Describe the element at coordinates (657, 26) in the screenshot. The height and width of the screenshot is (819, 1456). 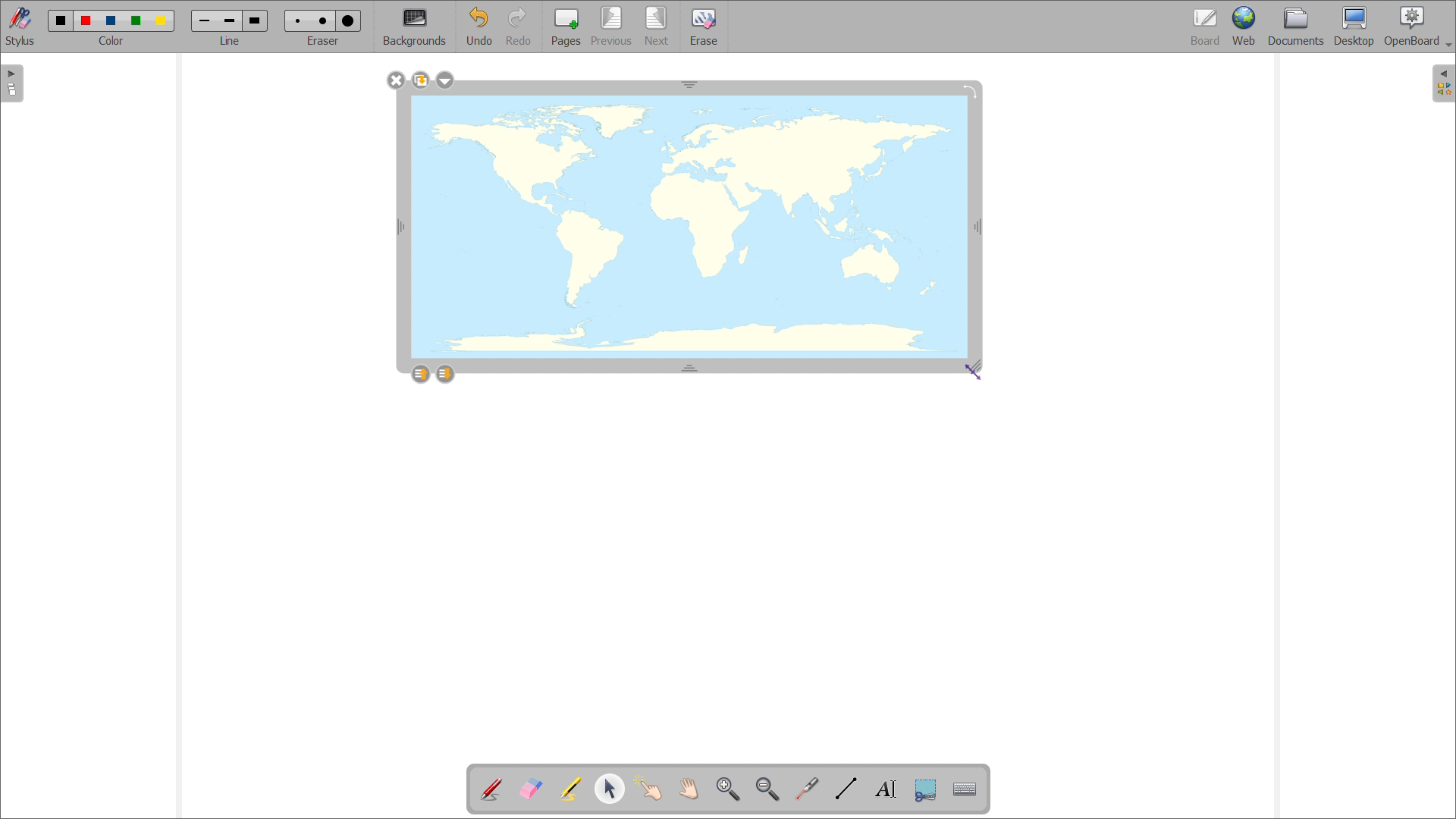
I see `next page` at that location.